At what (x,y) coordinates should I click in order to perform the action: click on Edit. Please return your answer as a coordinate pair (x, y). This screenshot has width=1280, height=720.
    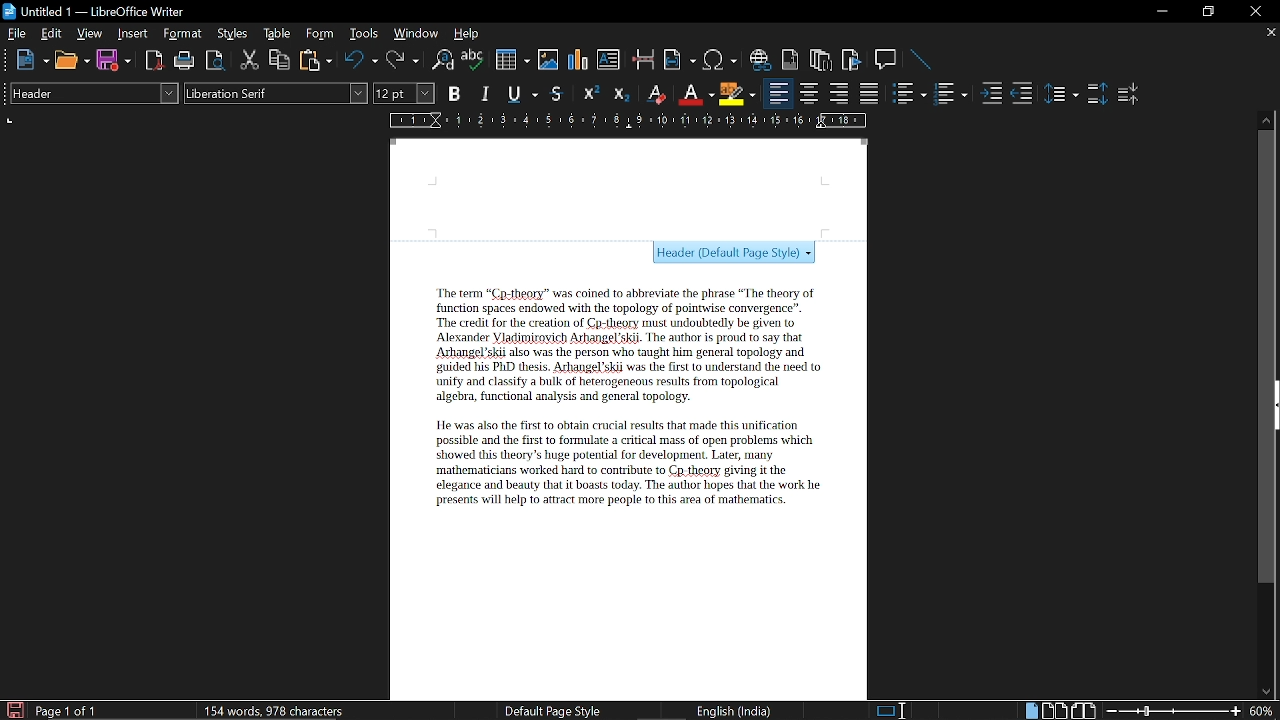
    Looking at the image, I should click on (52, 33).